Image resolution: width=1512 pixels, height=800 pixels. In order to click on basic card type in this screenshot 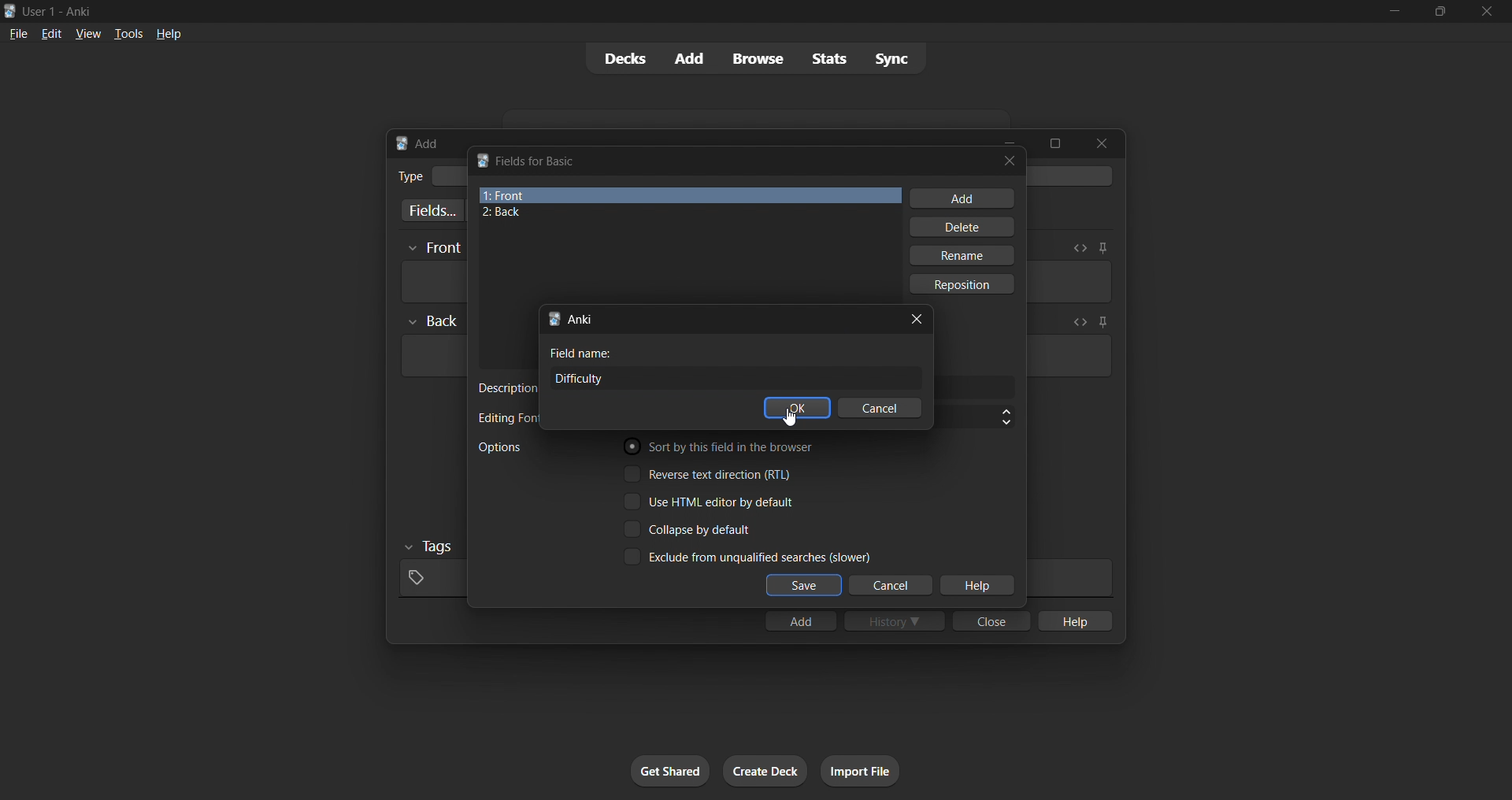, I will do `click(448, 176)`.